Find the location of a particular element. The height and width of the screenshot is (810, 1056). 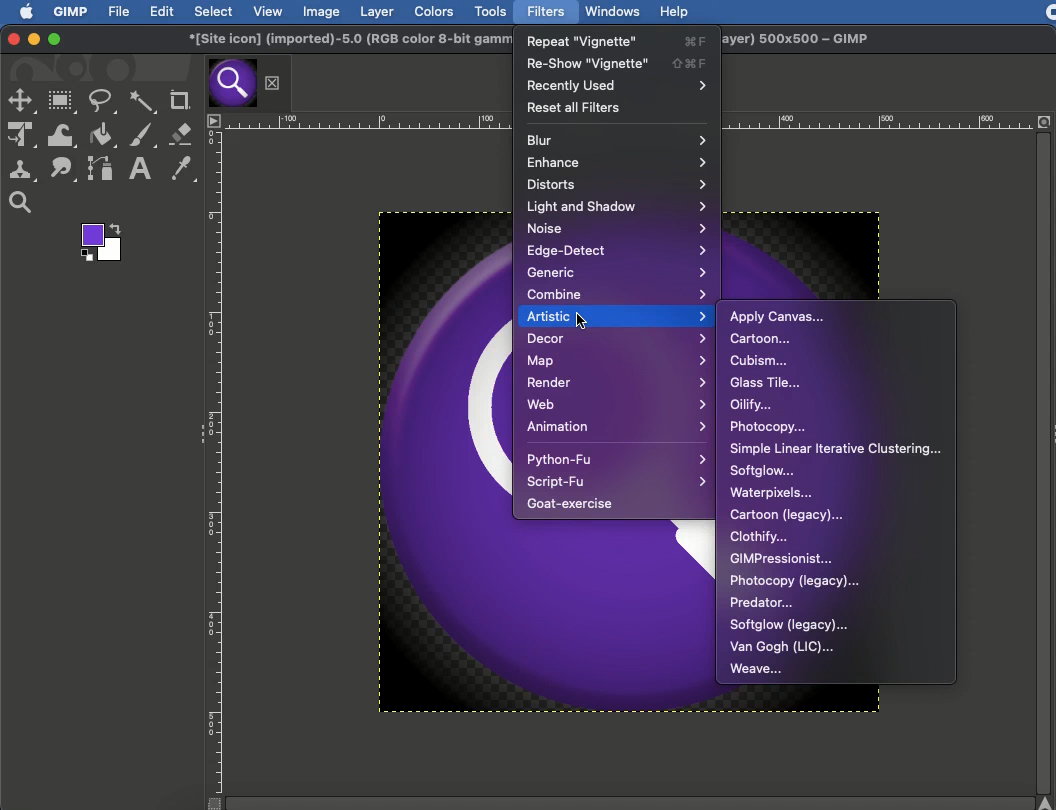

GIMP pressionist is located at coordinates (784, 558).